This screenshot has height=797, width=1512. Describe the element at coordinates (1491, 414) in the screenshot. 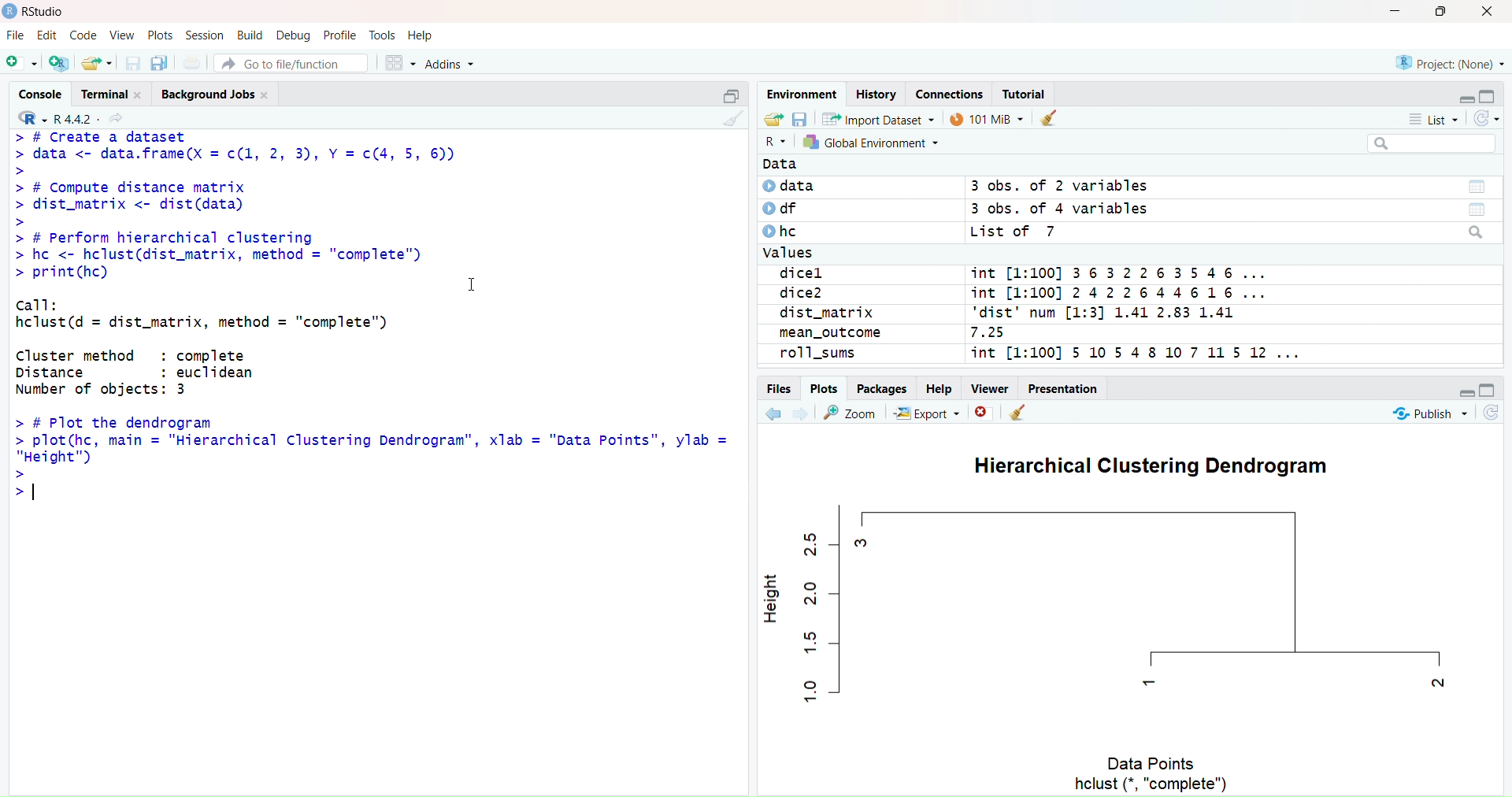

I see `Refresh current plot` at that location.